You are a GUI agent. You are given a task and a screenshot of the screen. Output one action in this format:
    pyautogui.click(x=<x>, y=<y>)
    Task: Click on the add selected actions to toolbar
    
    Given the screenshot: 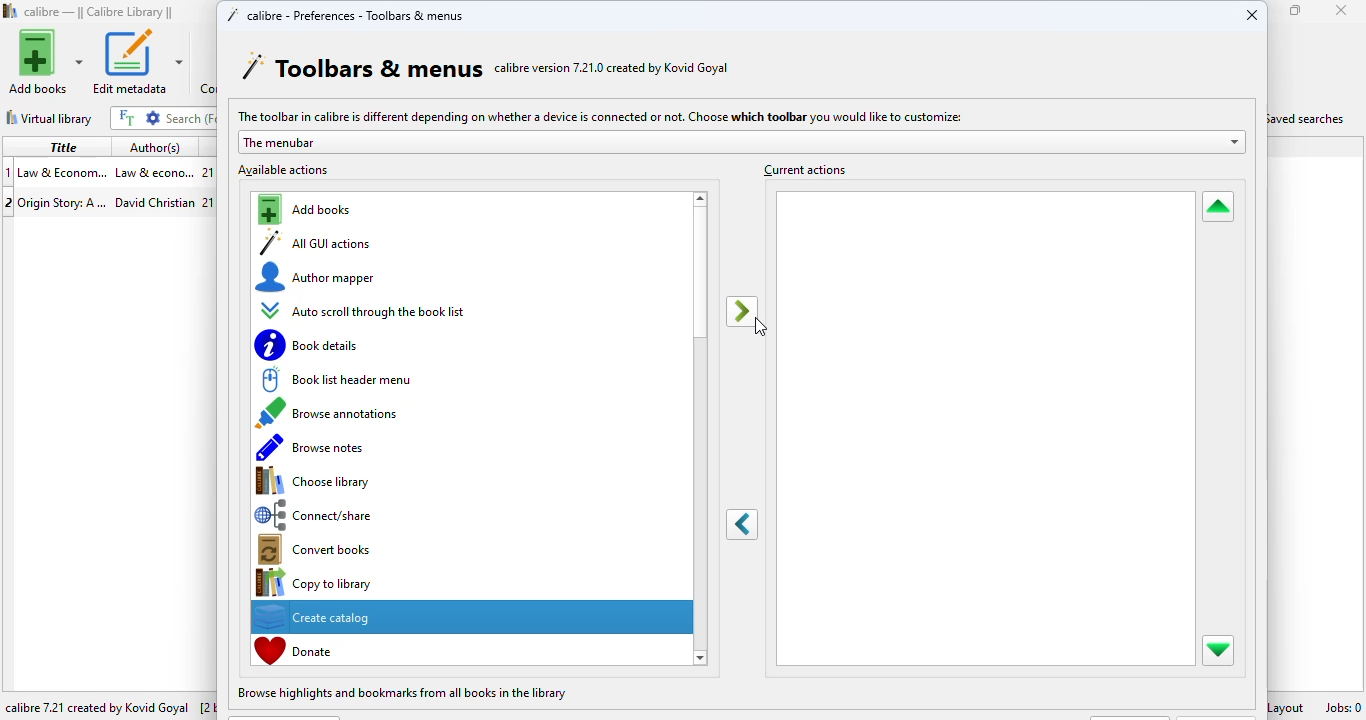 What is the action you would take?
    pyautogui.click(x=743, y=311)
    